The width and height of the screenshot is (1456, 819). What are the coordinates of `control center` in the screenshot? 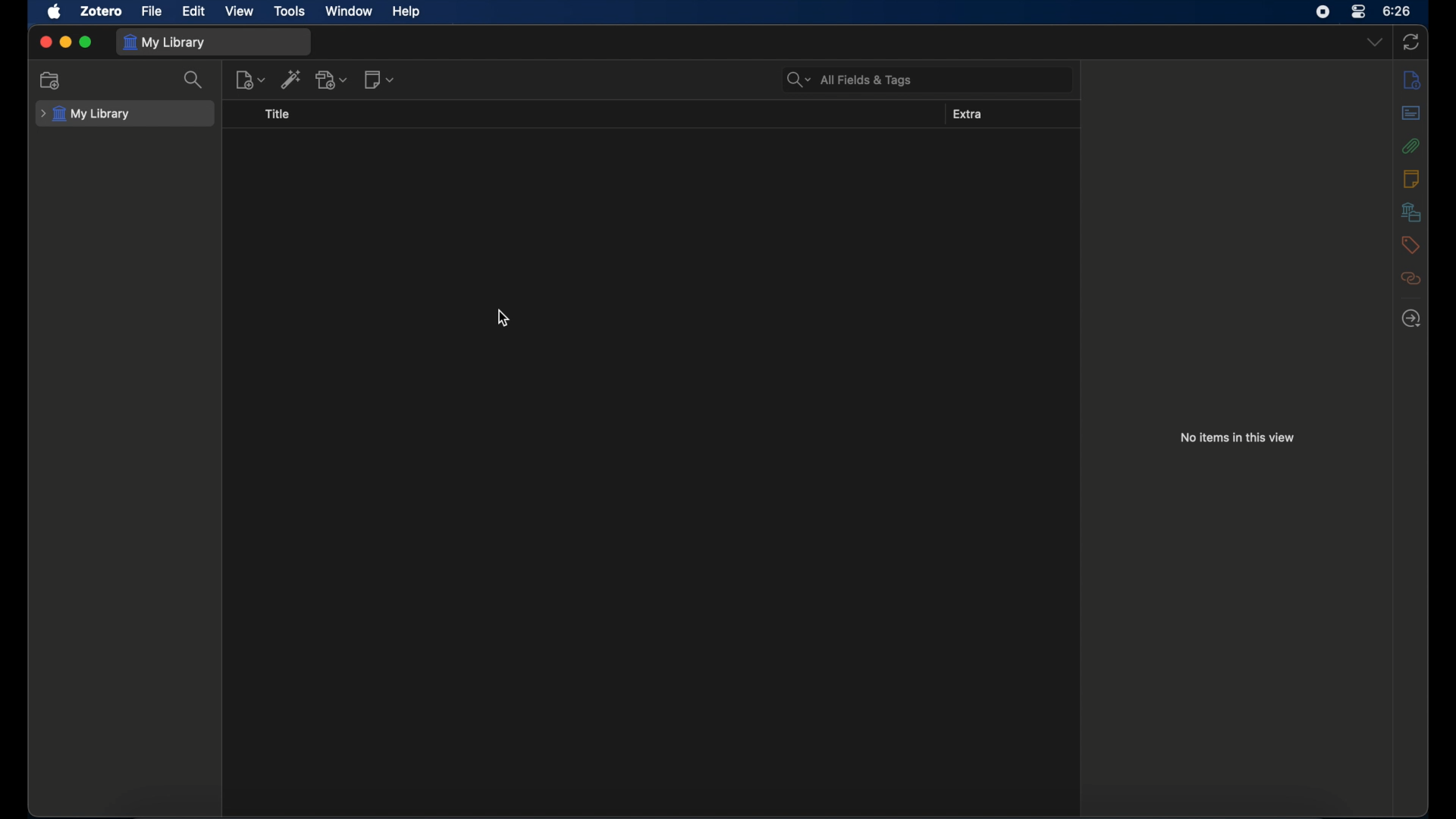 It's located at (1359, 11).